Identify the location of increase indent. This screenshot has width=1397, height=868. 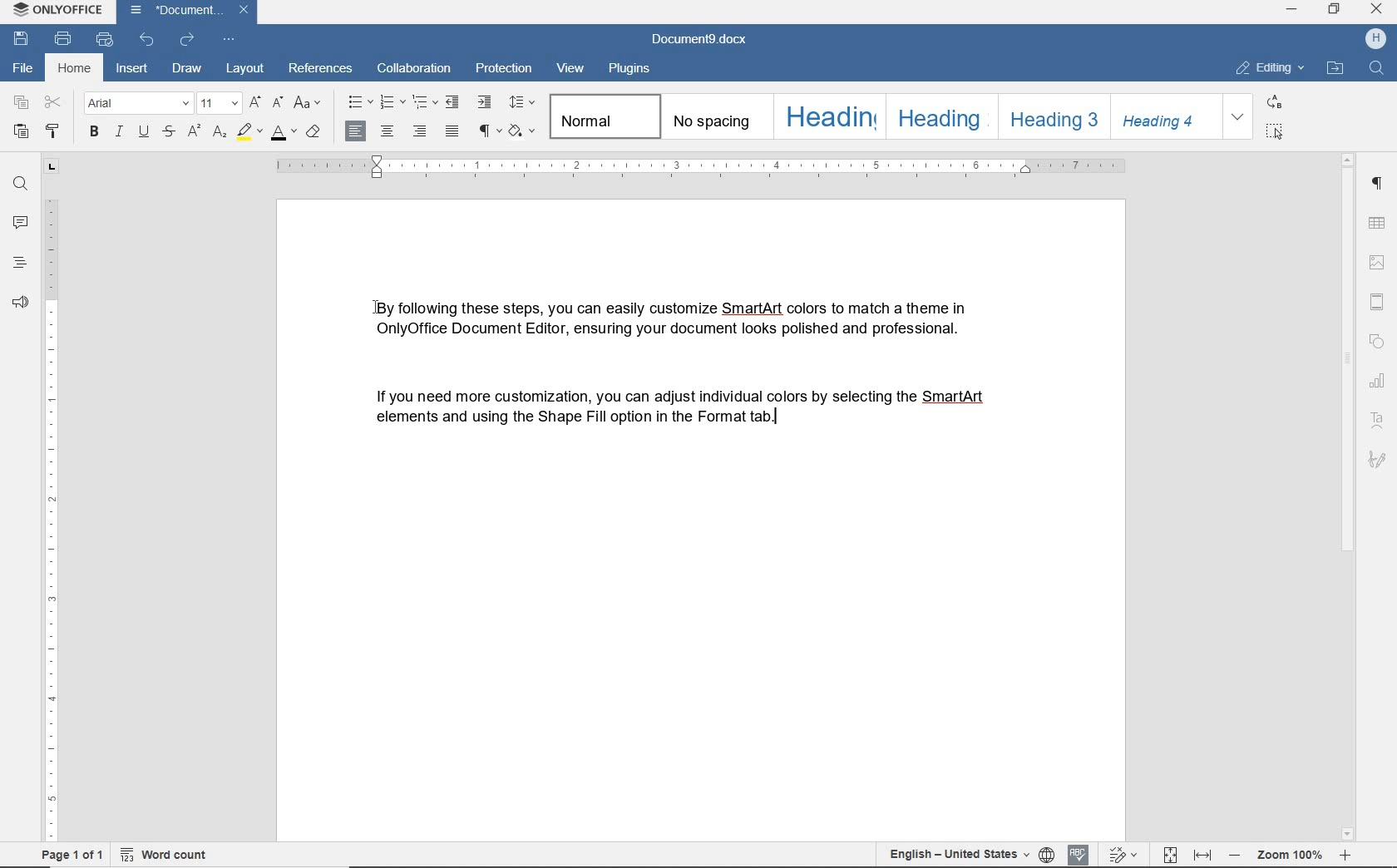
(485, 101).